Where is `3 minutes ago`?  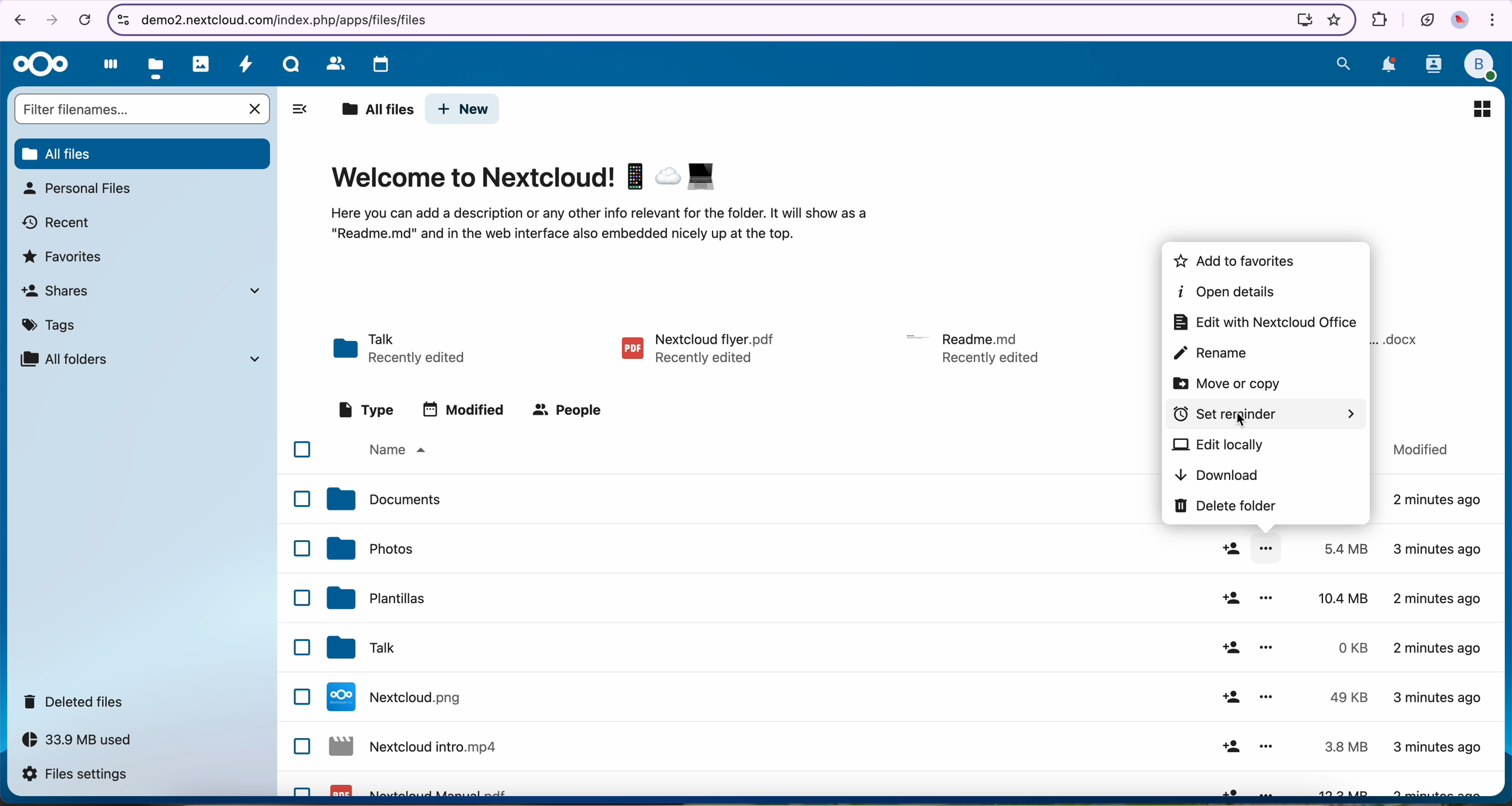 3 minutes ago is located at coordinates (1435, 790).